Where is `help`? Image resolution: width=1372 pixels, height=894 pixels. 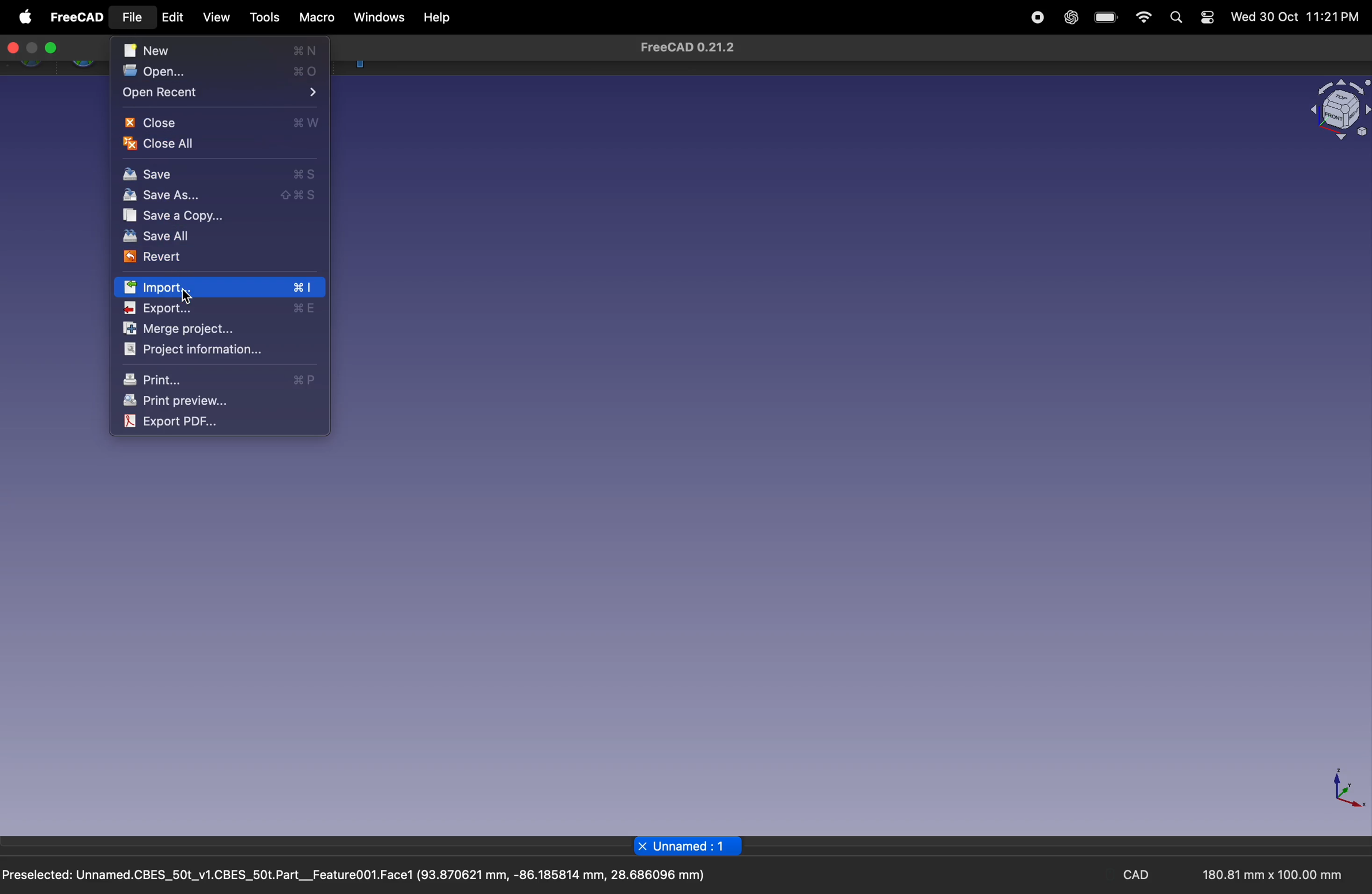
help is located at coordinates (435, 18).